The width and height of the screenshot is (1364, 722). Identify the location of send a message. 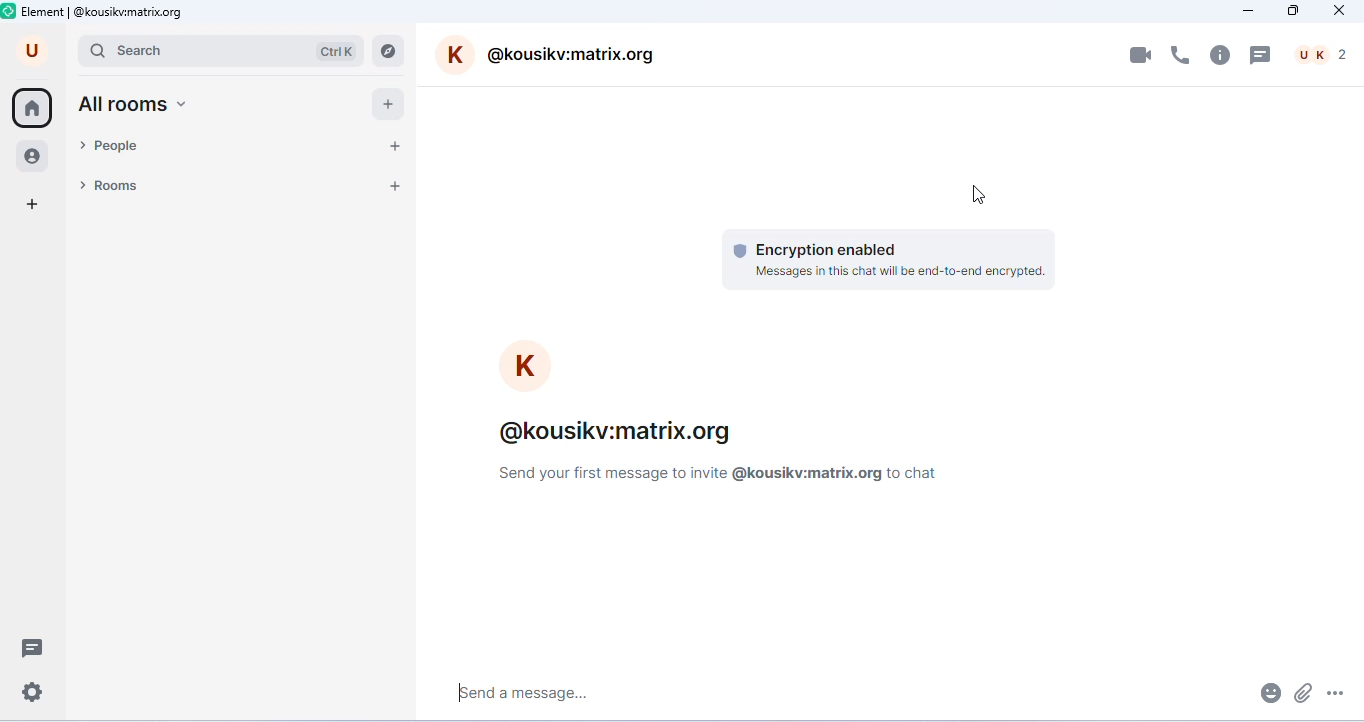
(585, 698).